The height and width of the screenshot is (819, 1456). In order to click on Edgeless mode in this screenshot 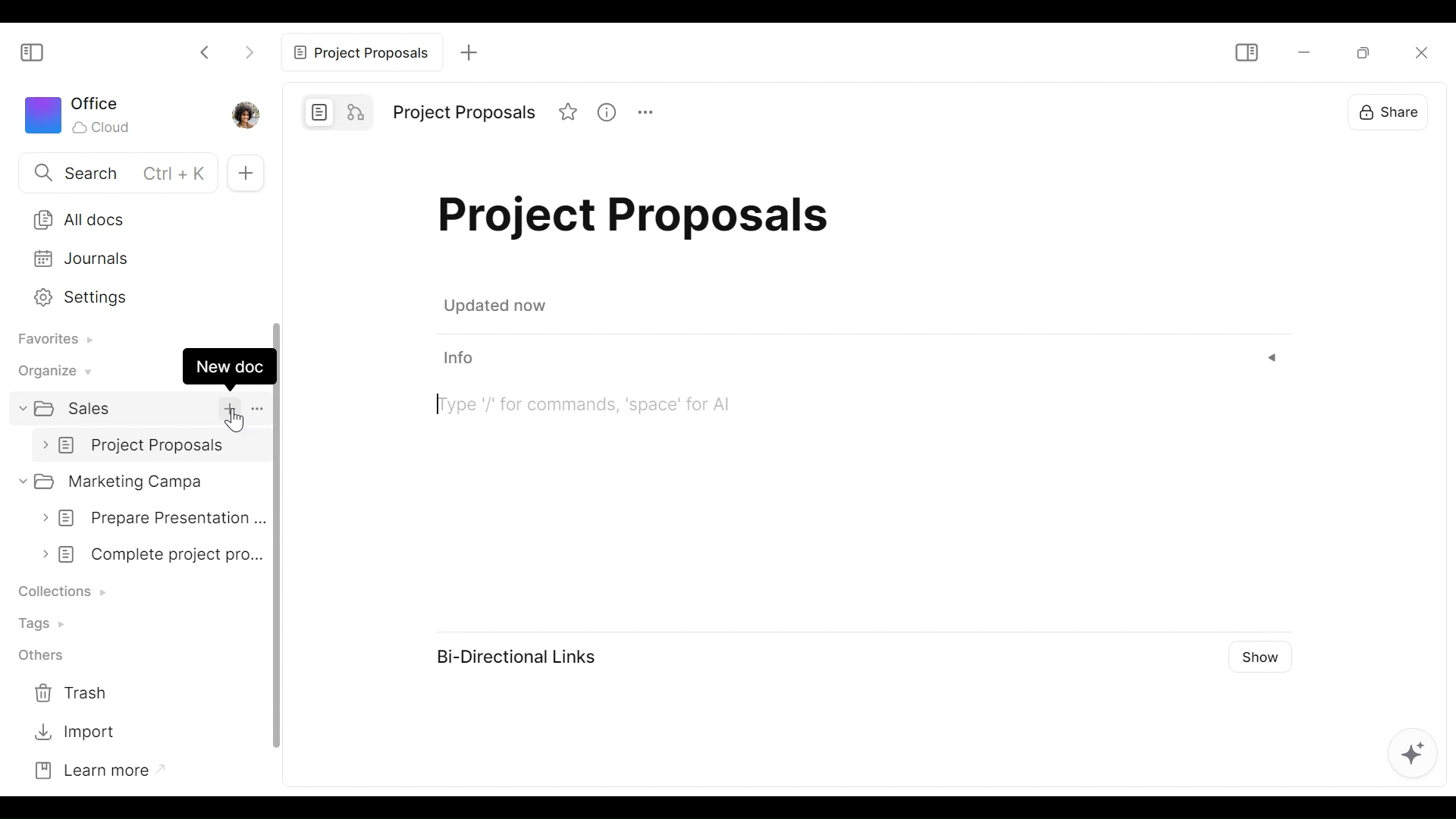, I will do `click(357, 112)`.